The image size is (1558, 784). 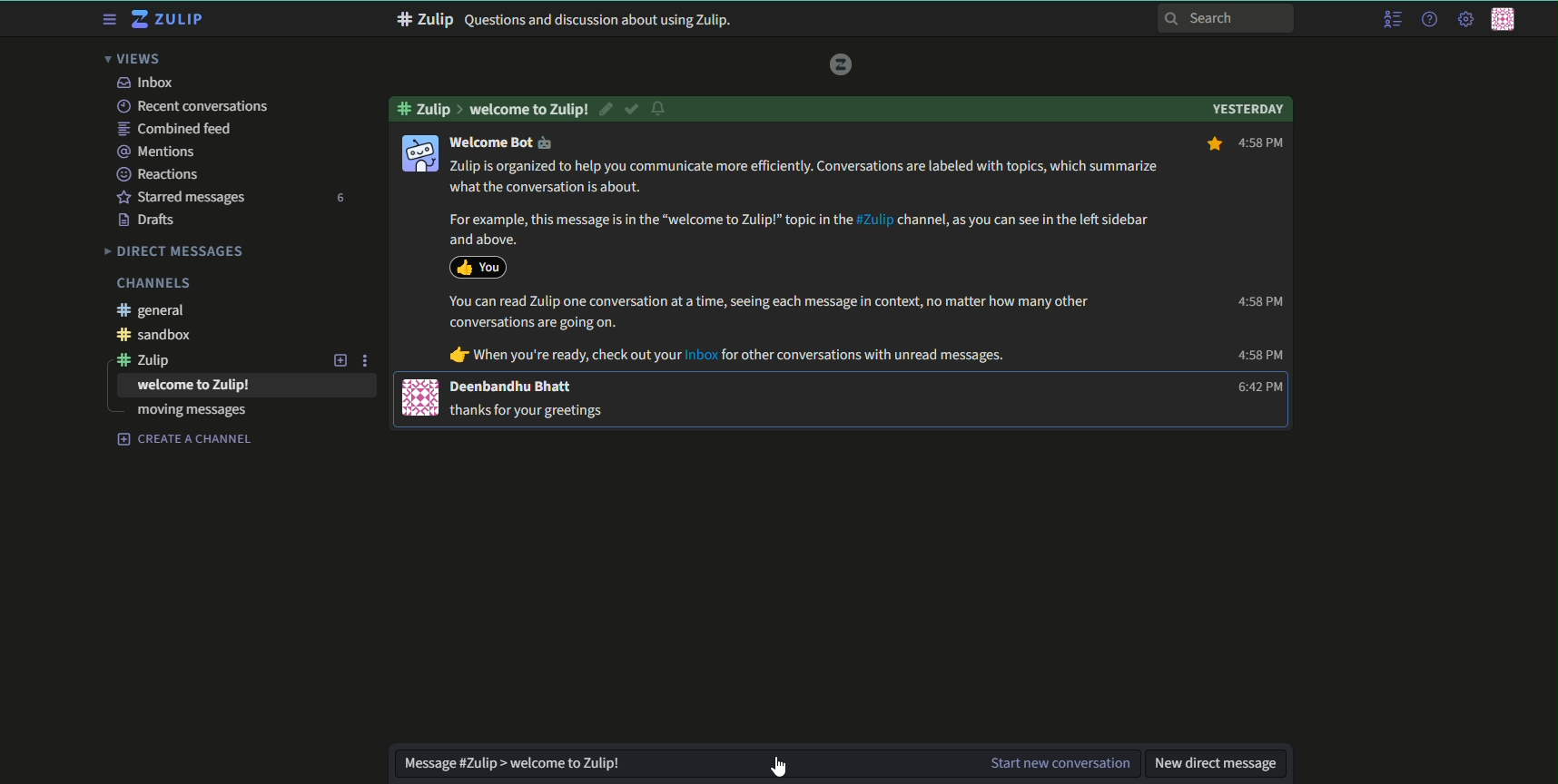 I want to click on menu, so click(x=107, y=20).